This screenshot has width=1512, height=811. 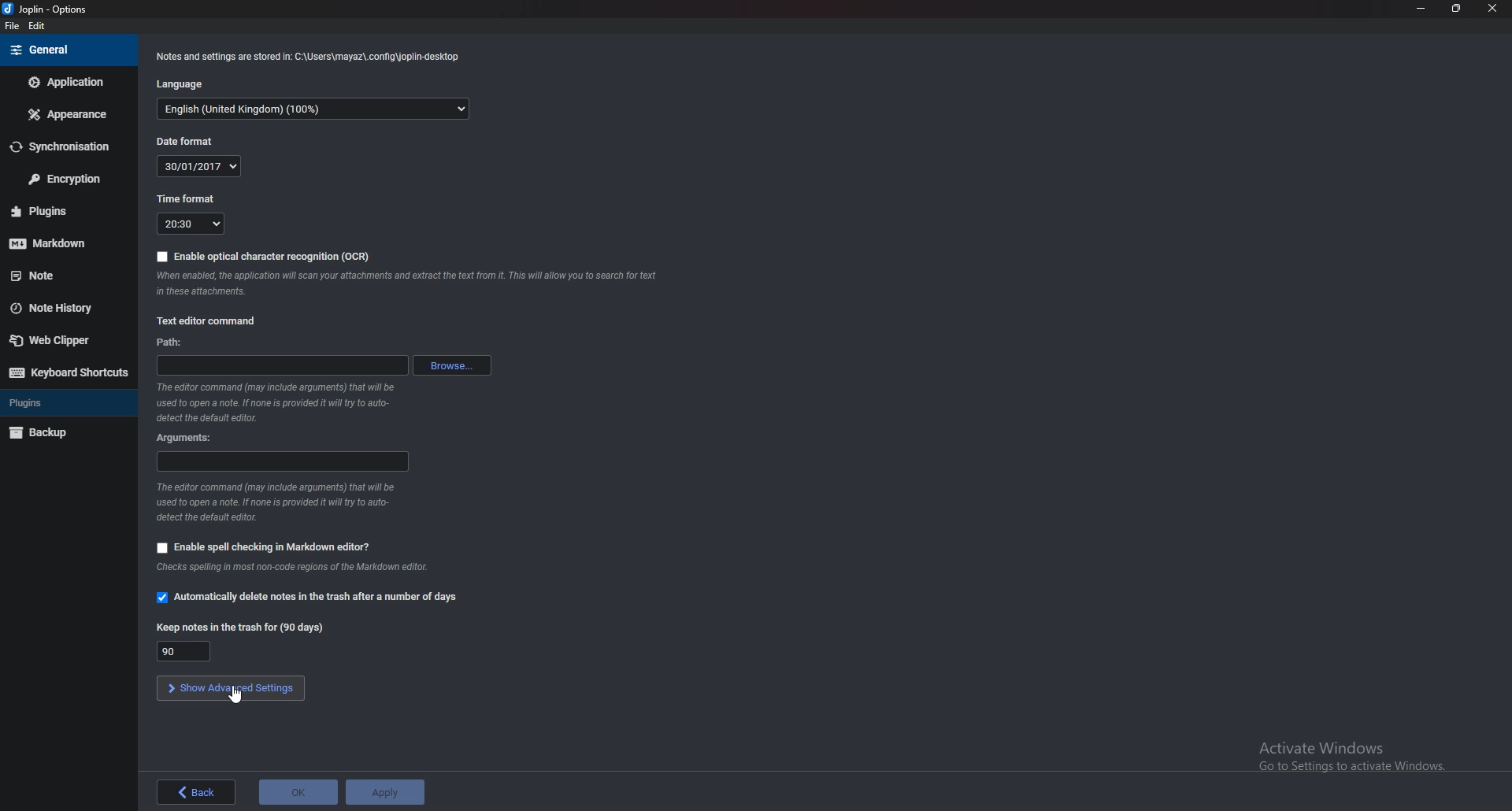 What do you see at coordinates (54, 275) in the screenshot?
I see `note` at bounding box center [54, 275].